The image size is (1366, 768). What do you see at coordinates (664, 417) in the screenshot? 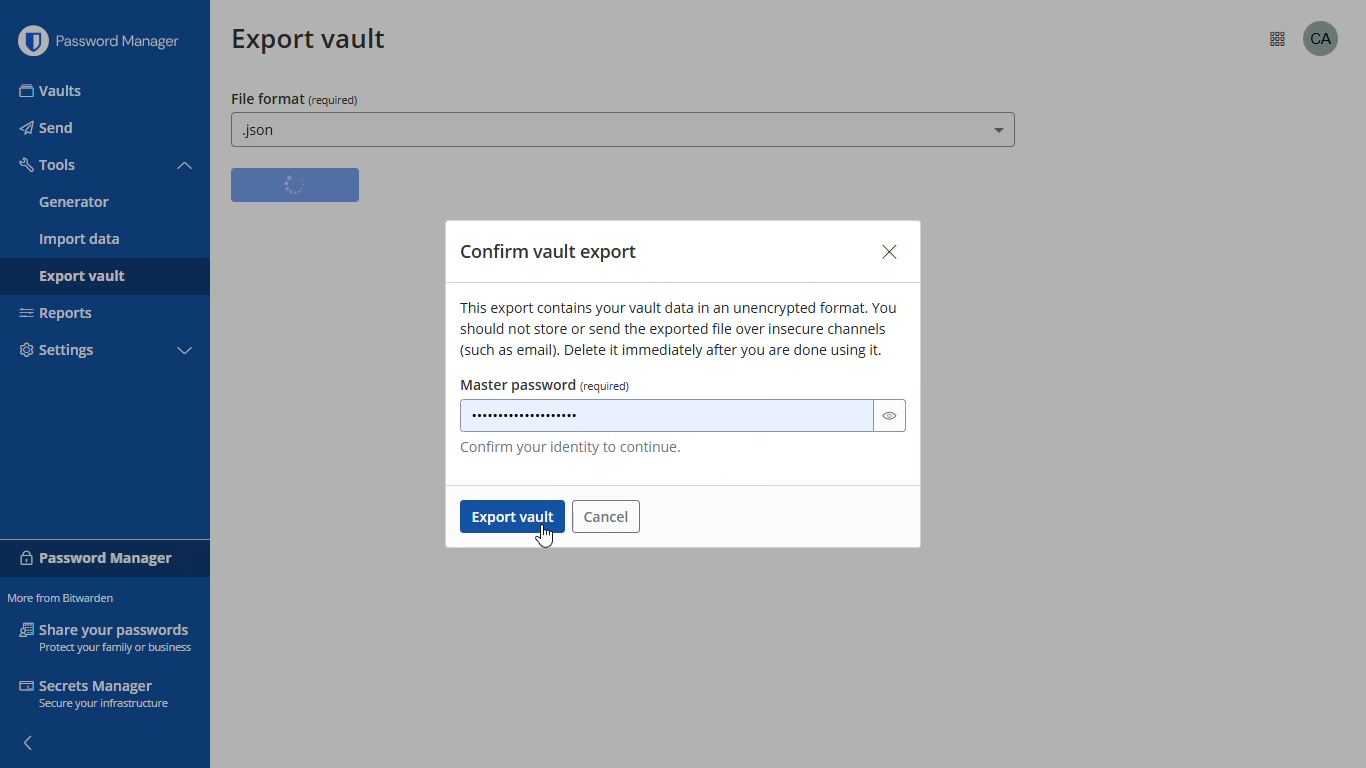
I see `master password` at bounding box center [664, 417].